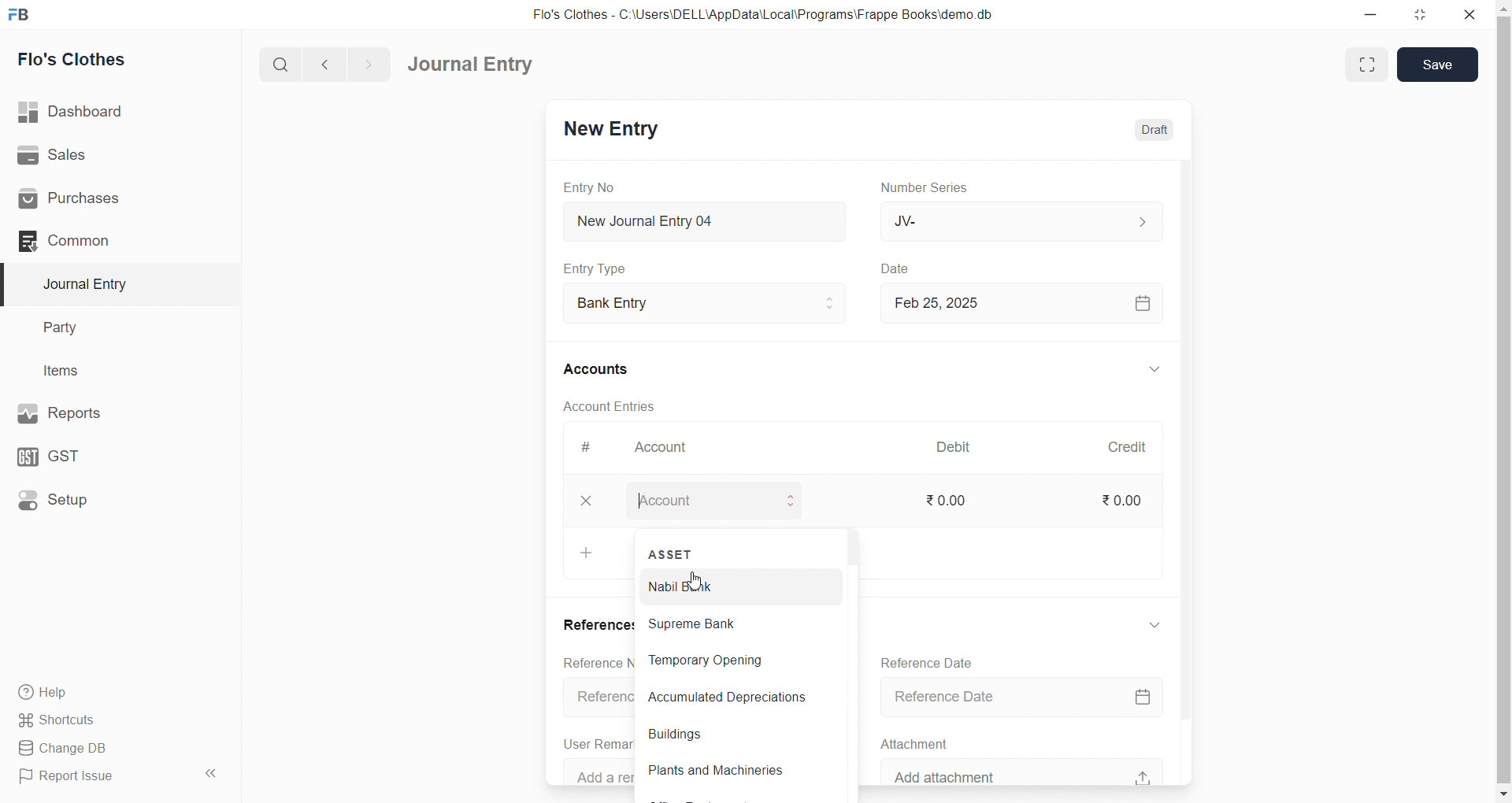  I want to click on search, so click(283, 63).